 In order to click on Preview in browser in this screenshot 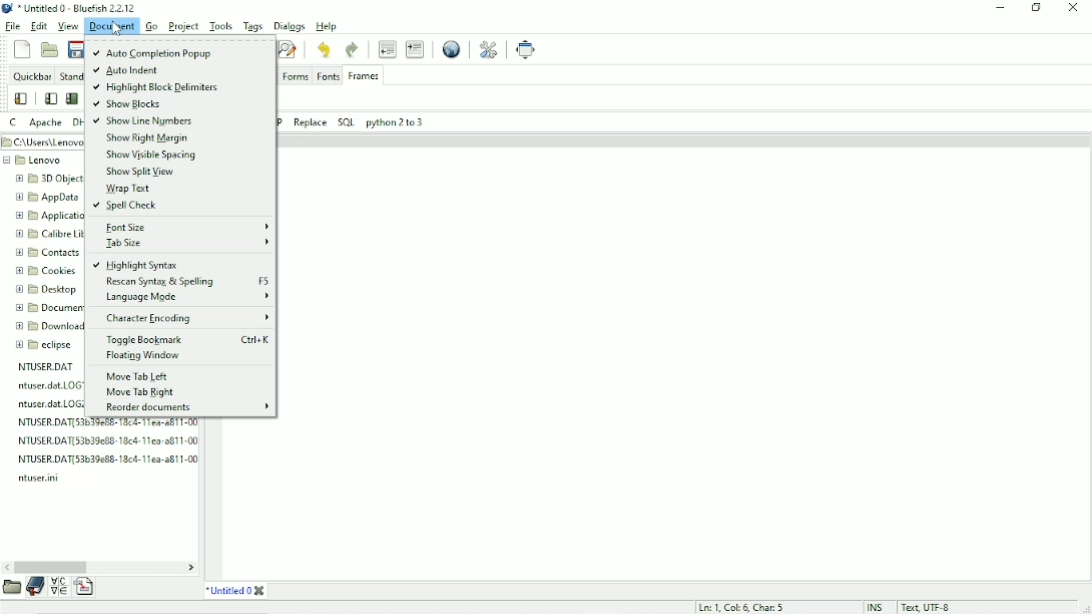, I will do `click(450, 46)`.